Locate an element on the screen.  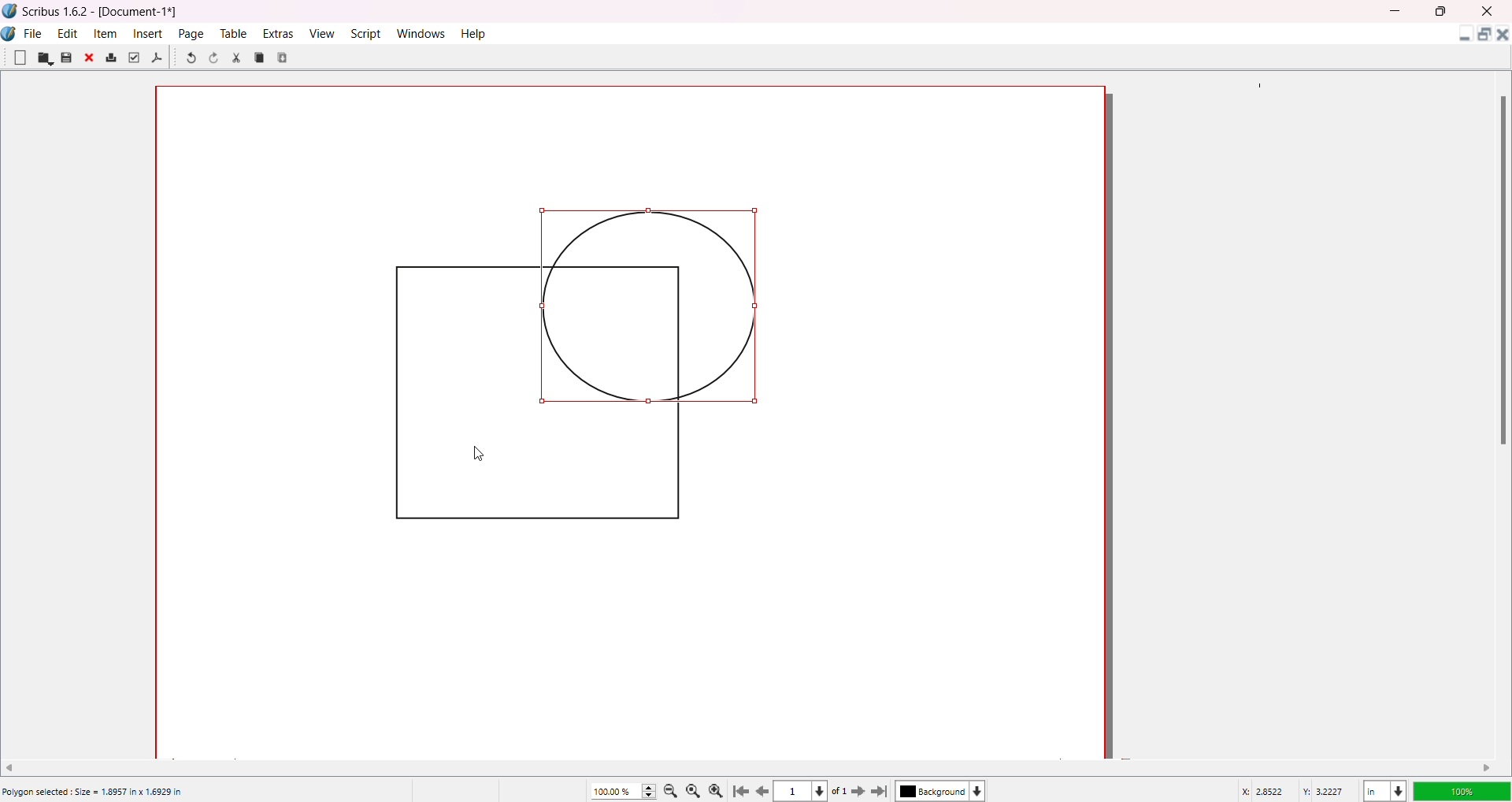
Logo is located at coordinates (10, 11).